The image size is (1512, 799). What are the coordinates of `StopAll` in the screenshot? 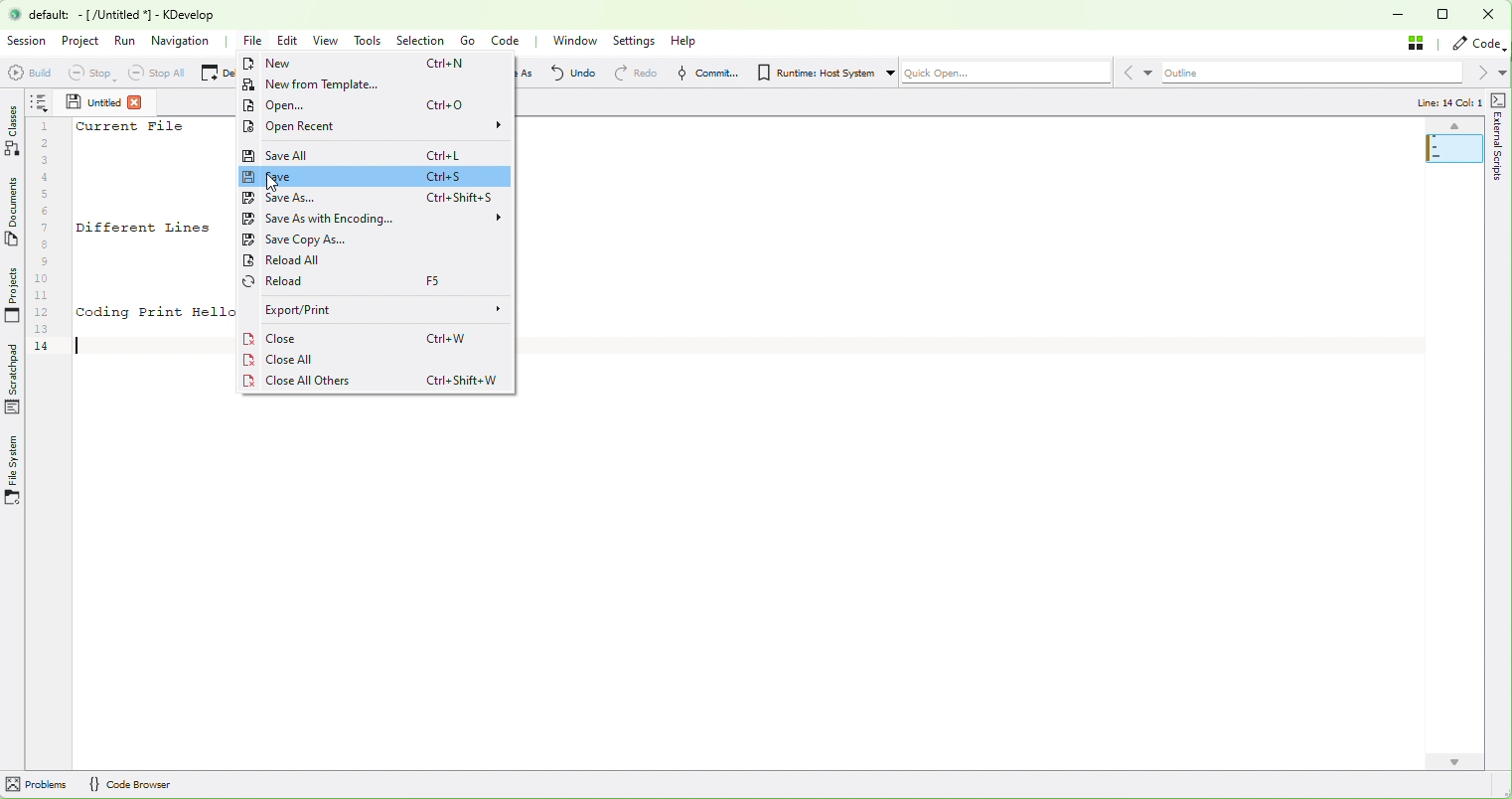 It's located at (155, 74).